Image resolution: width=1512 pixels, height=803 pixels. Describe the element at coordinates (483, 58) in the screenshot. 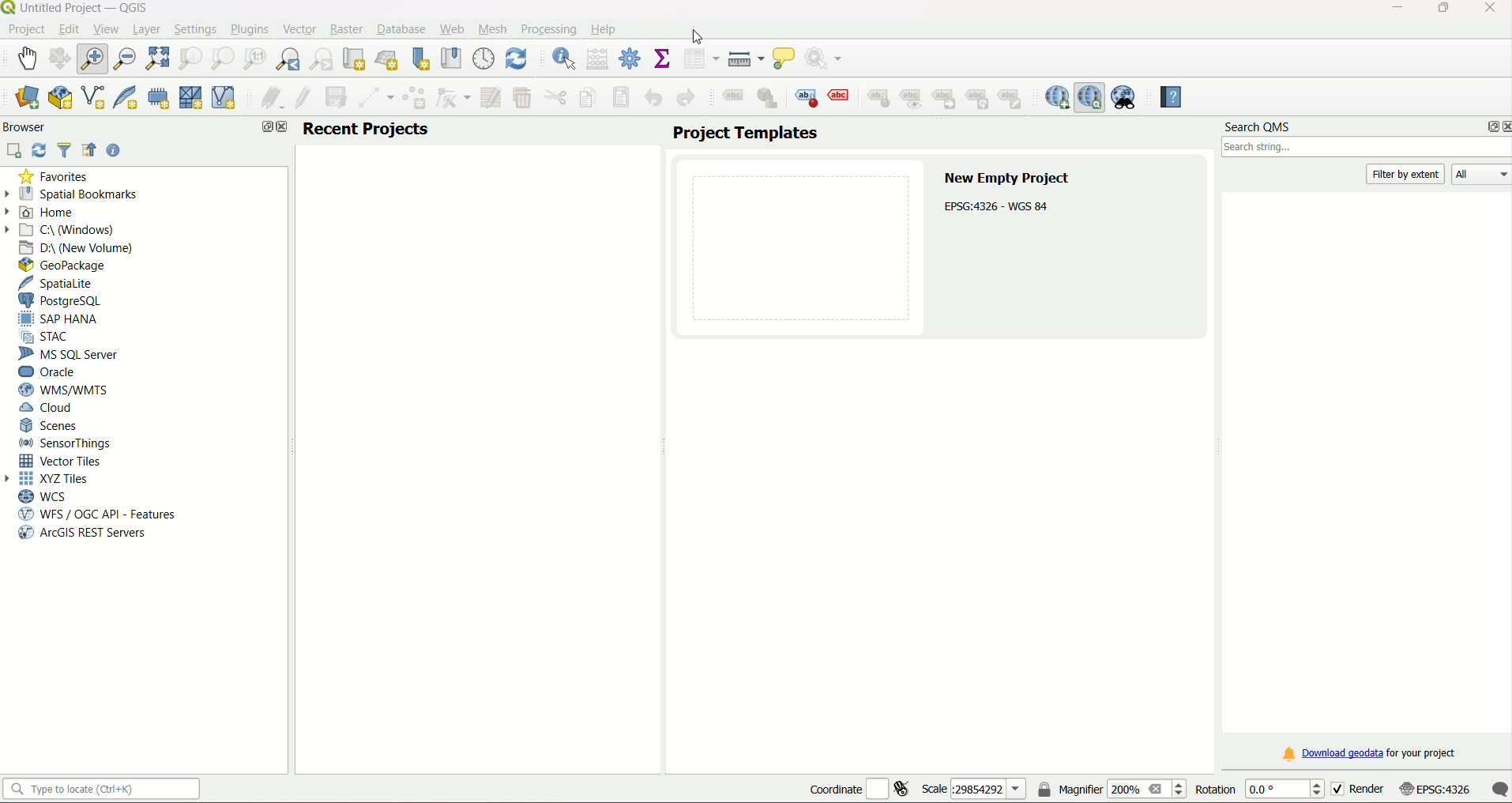

I see `temporal controller panel` at that location.